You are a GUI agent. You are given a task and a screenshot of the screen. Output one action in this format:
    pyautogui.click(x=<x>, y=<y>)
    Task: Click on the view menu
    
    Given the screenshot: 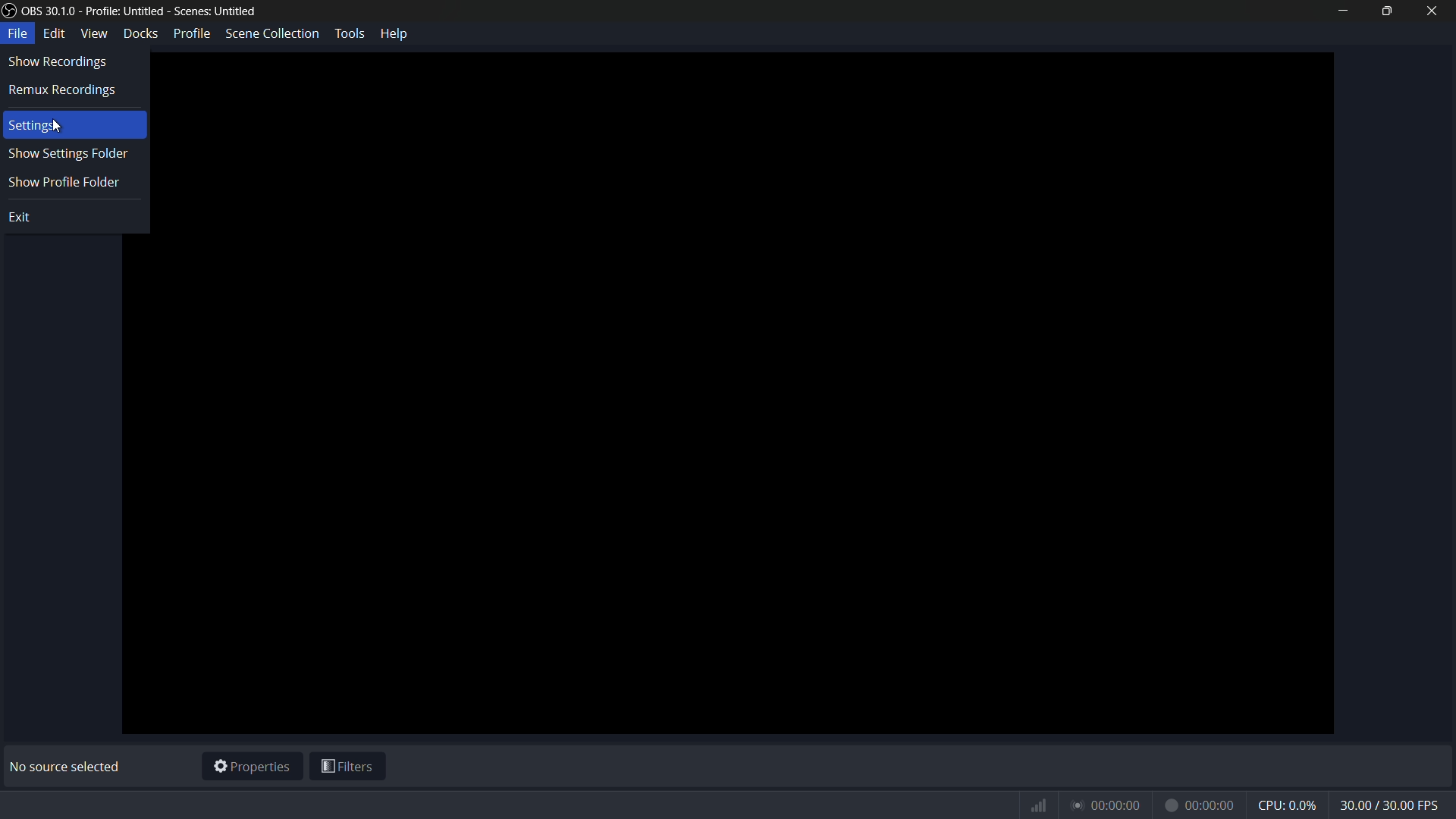 What is the action you would take?
    pyautogui.click(x=94, y=33)
    